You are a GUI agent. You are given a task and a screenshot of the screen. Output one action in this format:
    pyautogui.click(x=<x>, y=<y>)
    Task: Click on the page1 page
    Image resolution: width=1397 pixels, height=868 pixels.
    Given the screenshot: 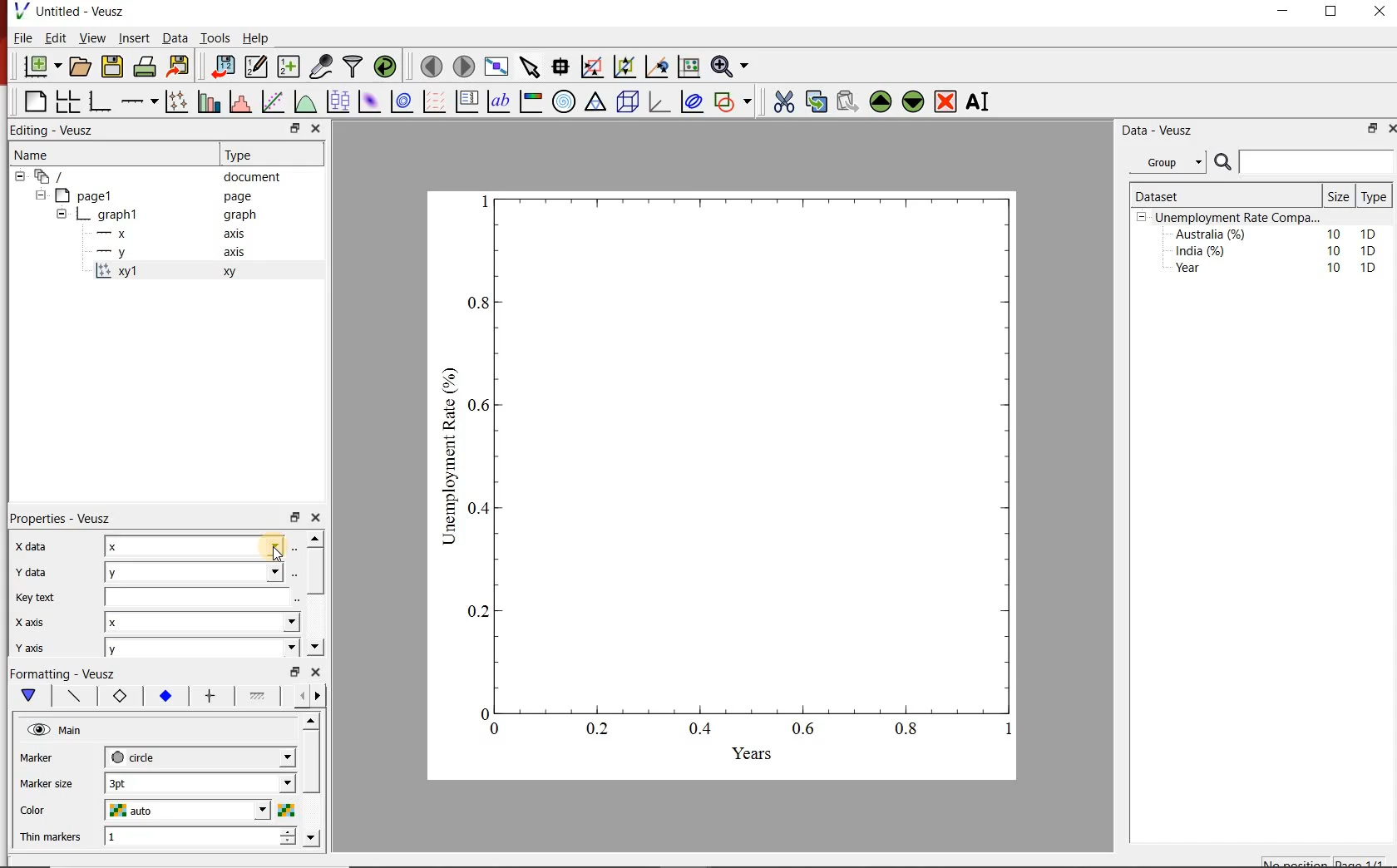 What is the action you would take?
    pyautogui.click(x=160, y=195)
    